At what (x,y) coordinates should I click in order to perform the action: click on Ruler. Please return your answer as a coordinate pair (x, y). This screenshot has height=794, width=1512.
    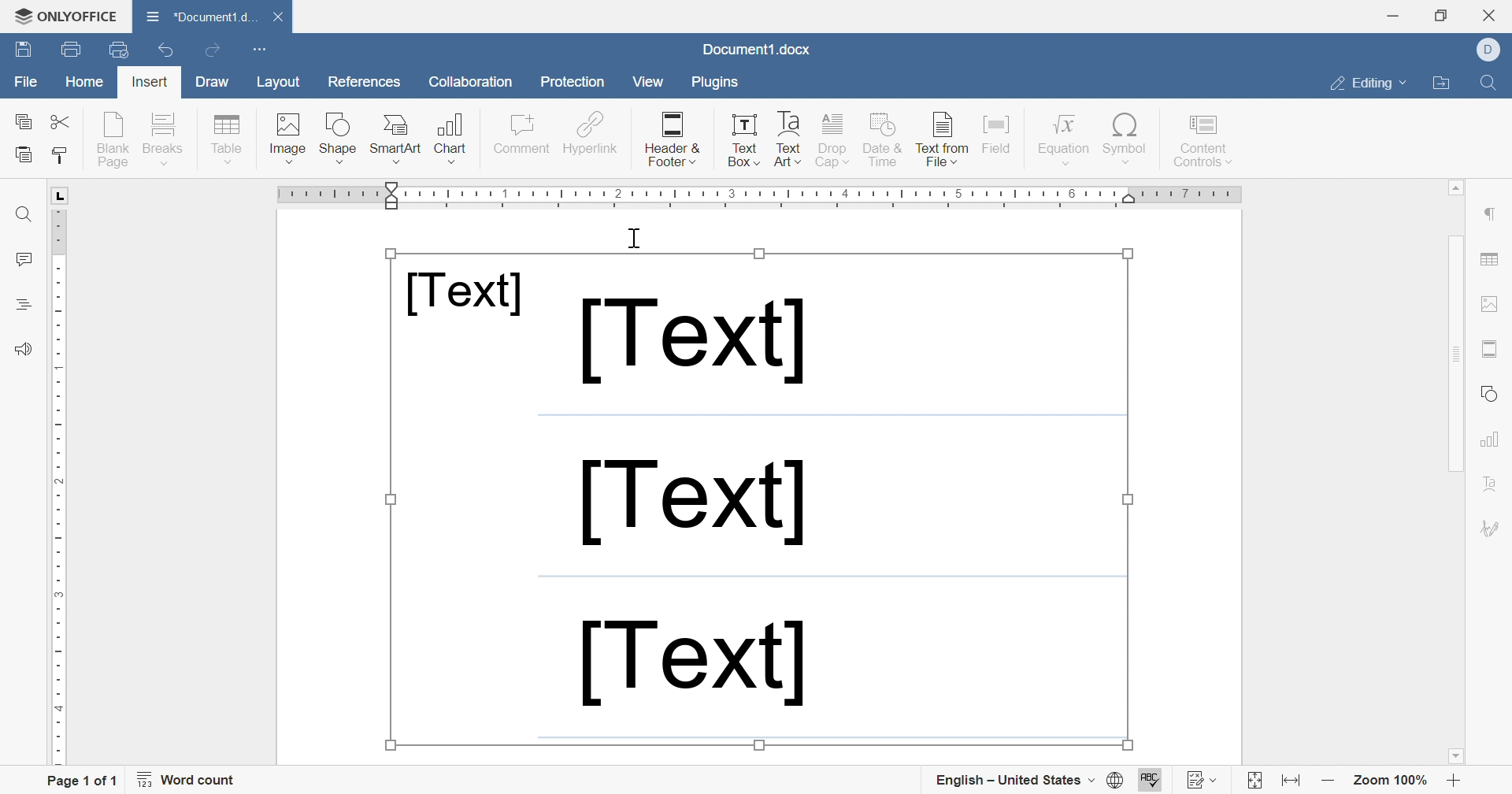
    Looking at the image, I should click on (57, 477).